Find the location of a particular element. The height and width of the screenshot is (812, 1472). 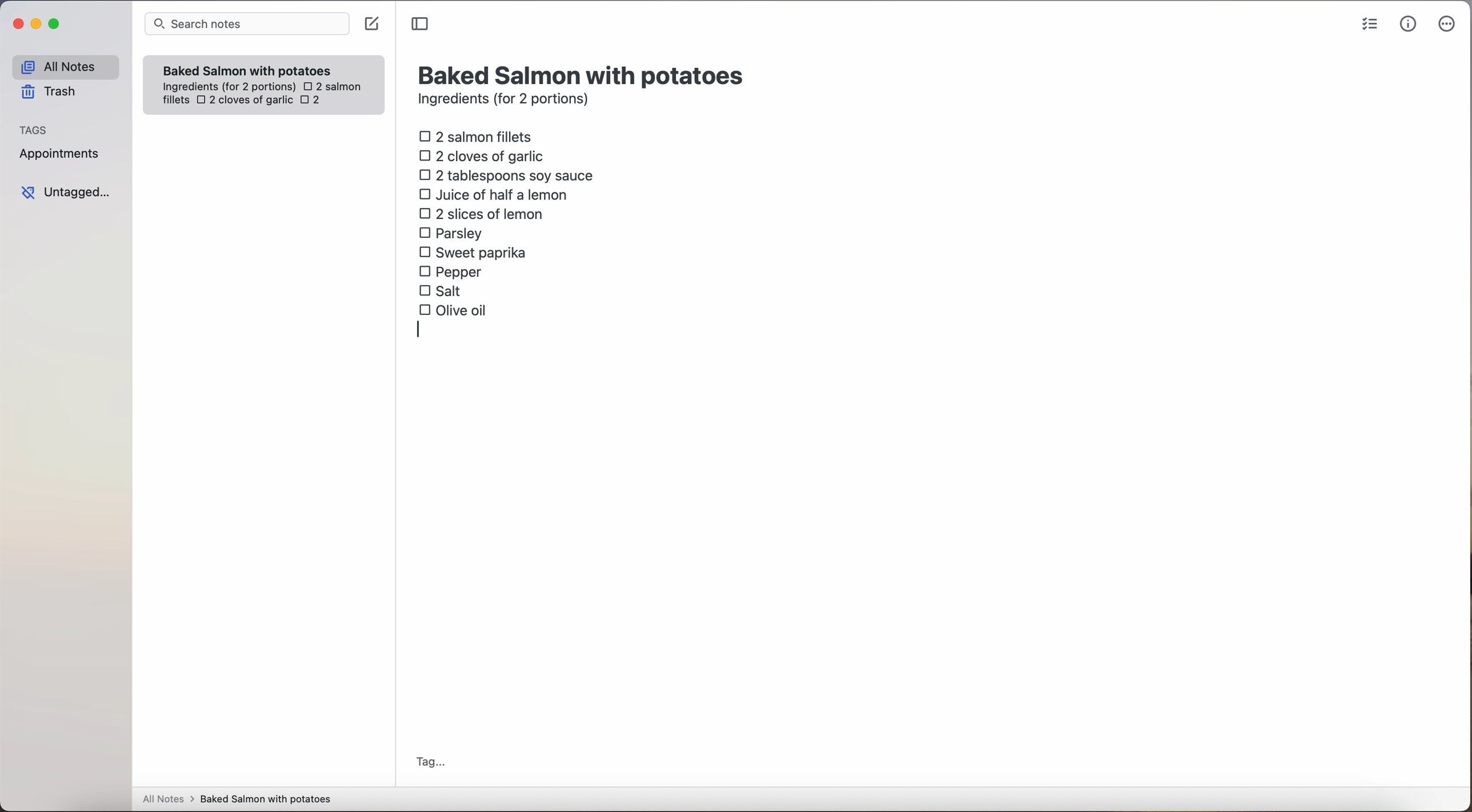

minimize Simplenote is located at coordinates (36, 25).